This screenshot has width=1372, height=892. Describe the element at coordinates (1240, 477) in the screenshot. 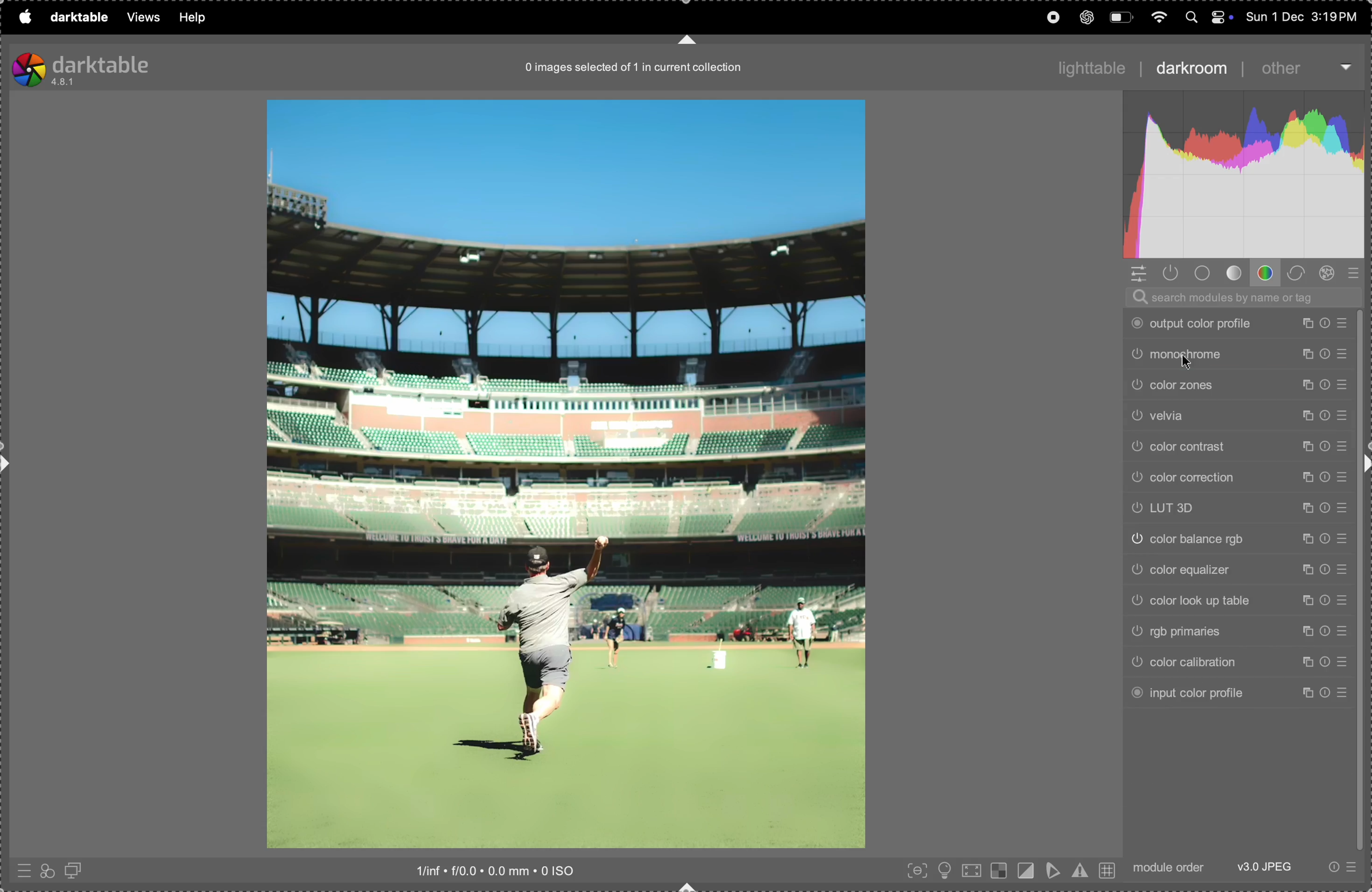

I see `color correction` at that location.